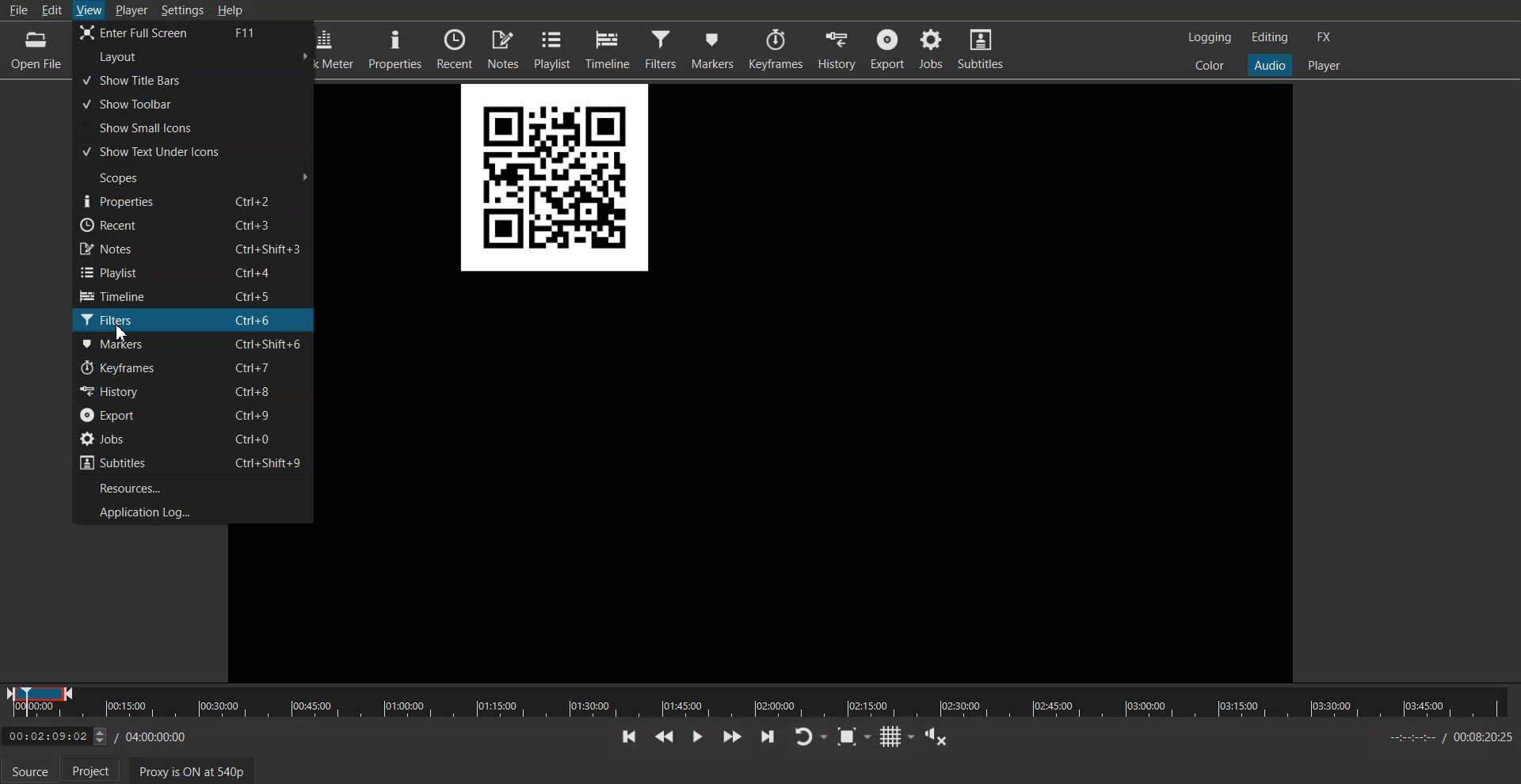 The image size is (1521, 784). Describe the element at coordinates (193, 344) in the screenshot. I see `Markers` at that location.